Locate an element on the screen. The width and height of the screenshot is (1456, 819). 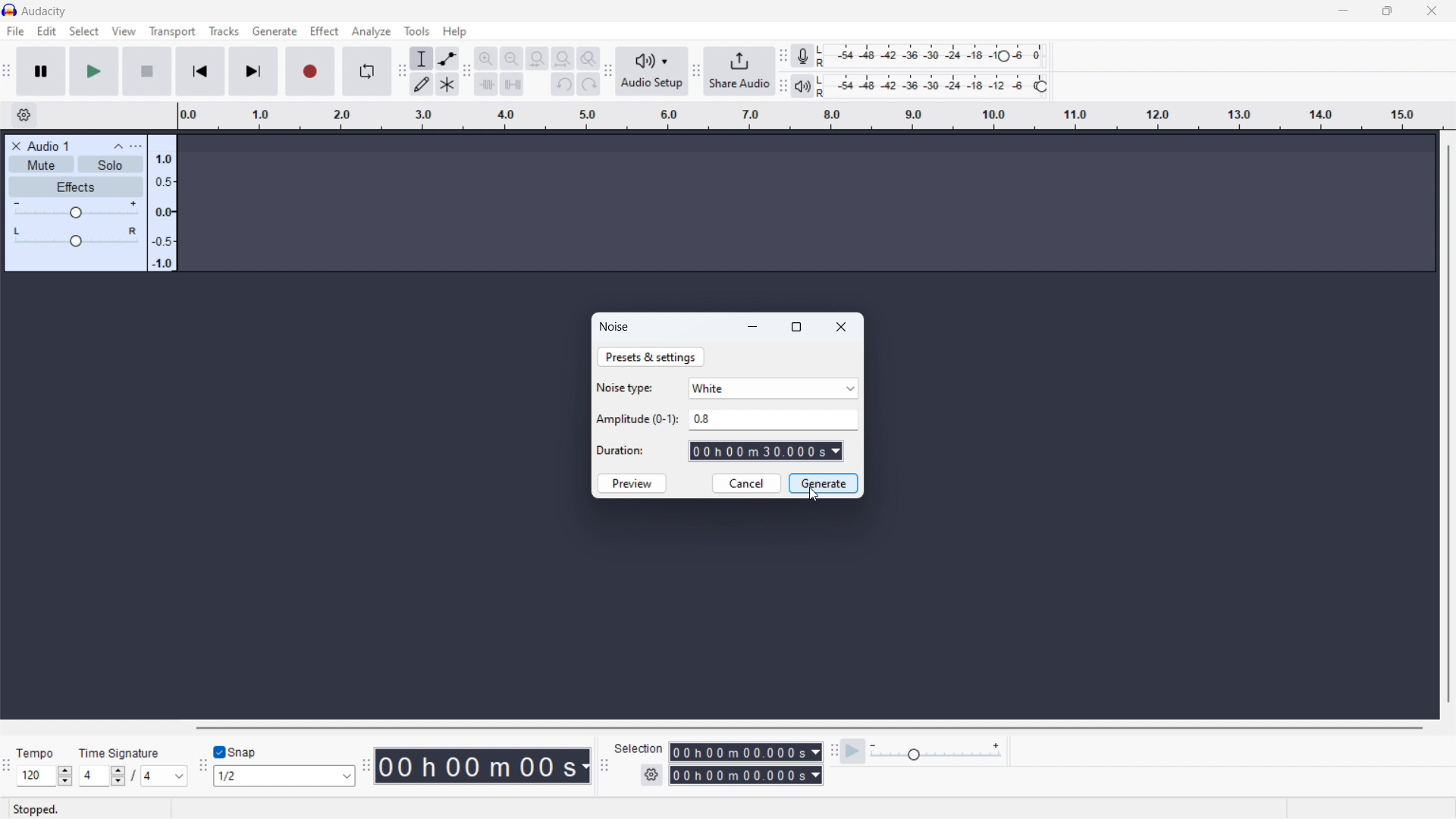
track title is located at coordinates (49, 146).